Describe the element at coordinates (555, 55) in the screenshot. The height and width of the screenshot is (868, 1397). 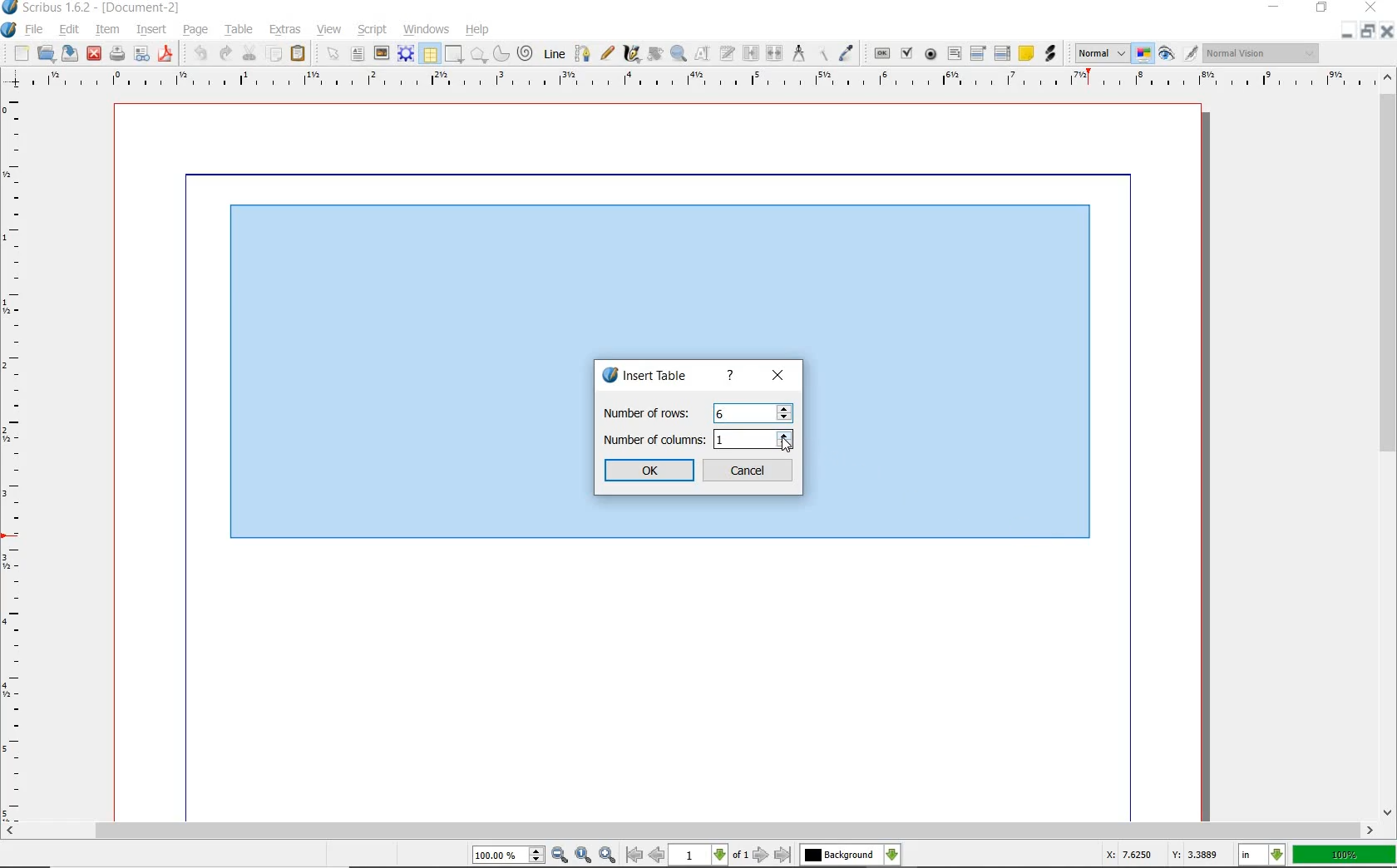
I see `line` at that location.